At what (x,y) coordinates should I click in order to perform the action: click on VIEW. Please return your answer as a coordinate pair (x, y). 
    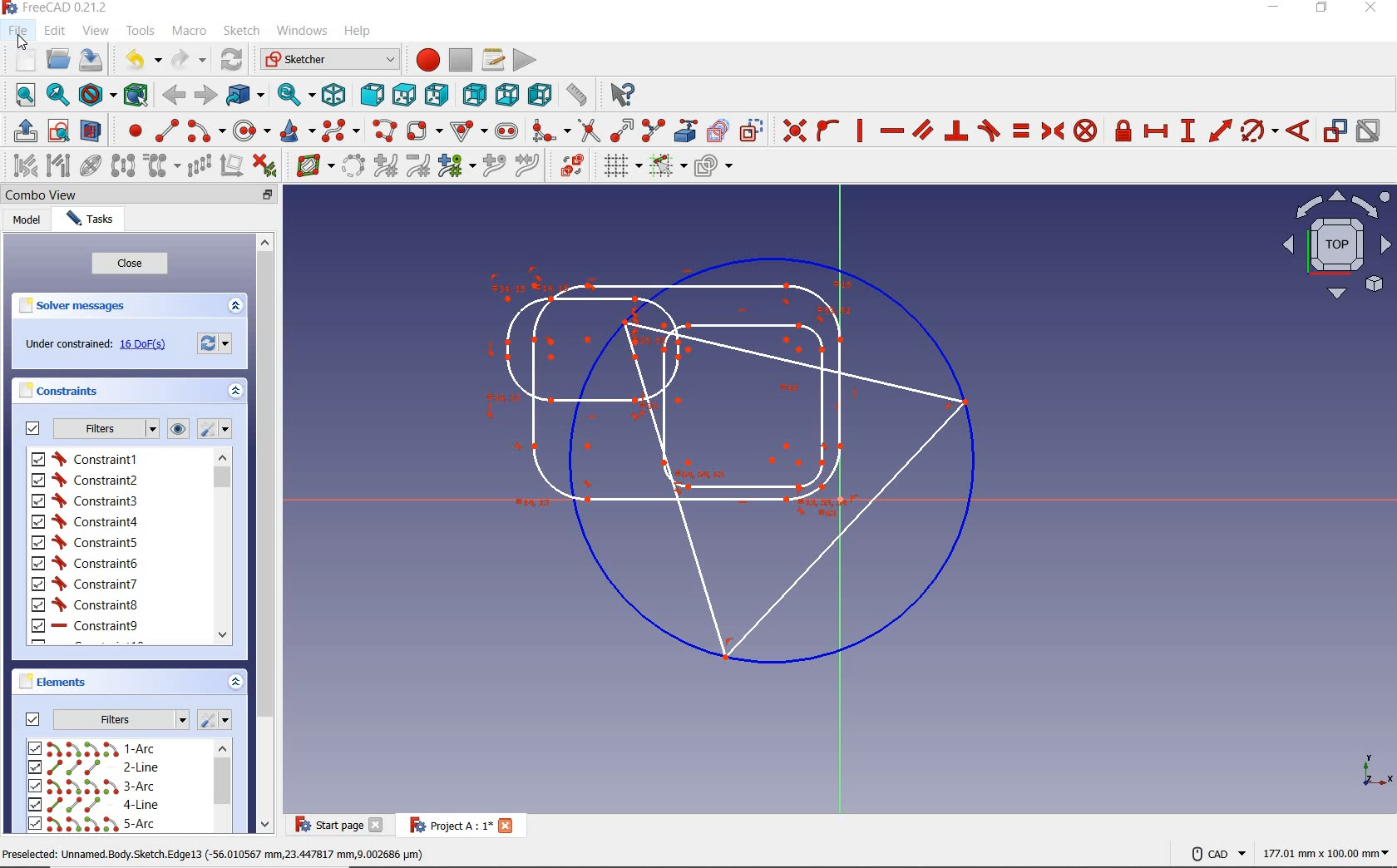
    Looking at the image, I should click on (1333, 245).